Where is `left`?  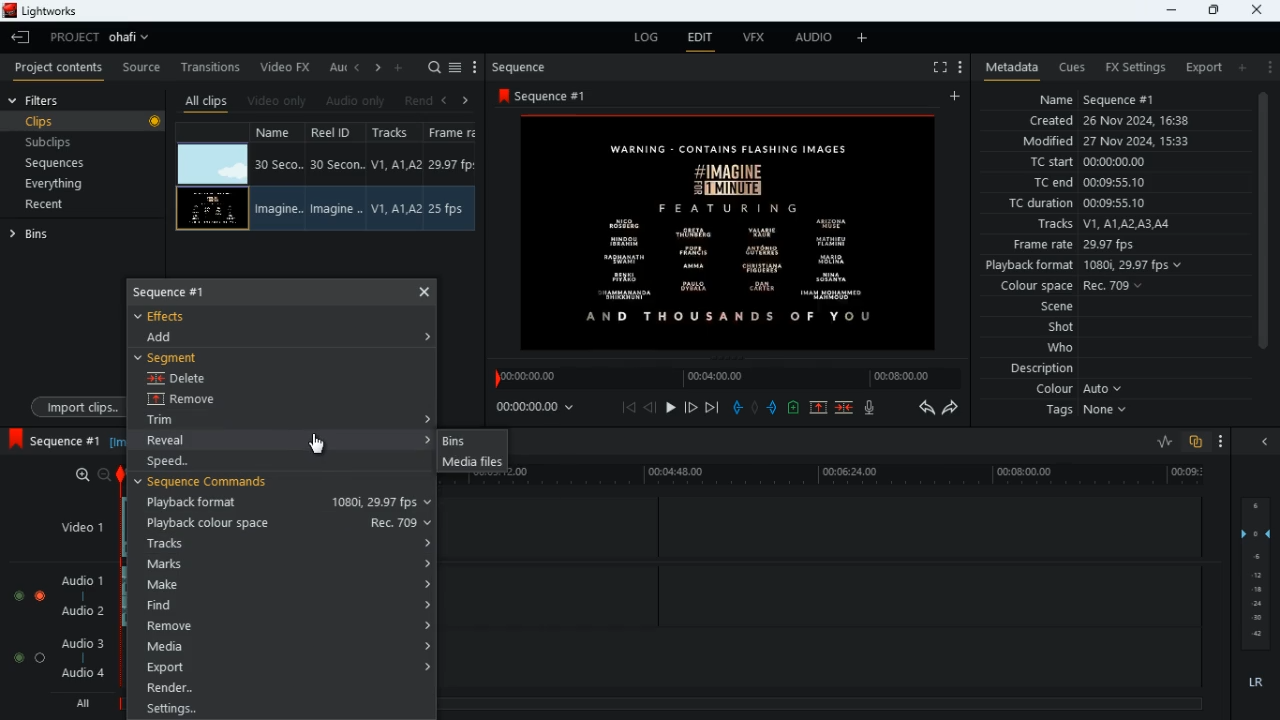 left is located at coordinates (360, 69).